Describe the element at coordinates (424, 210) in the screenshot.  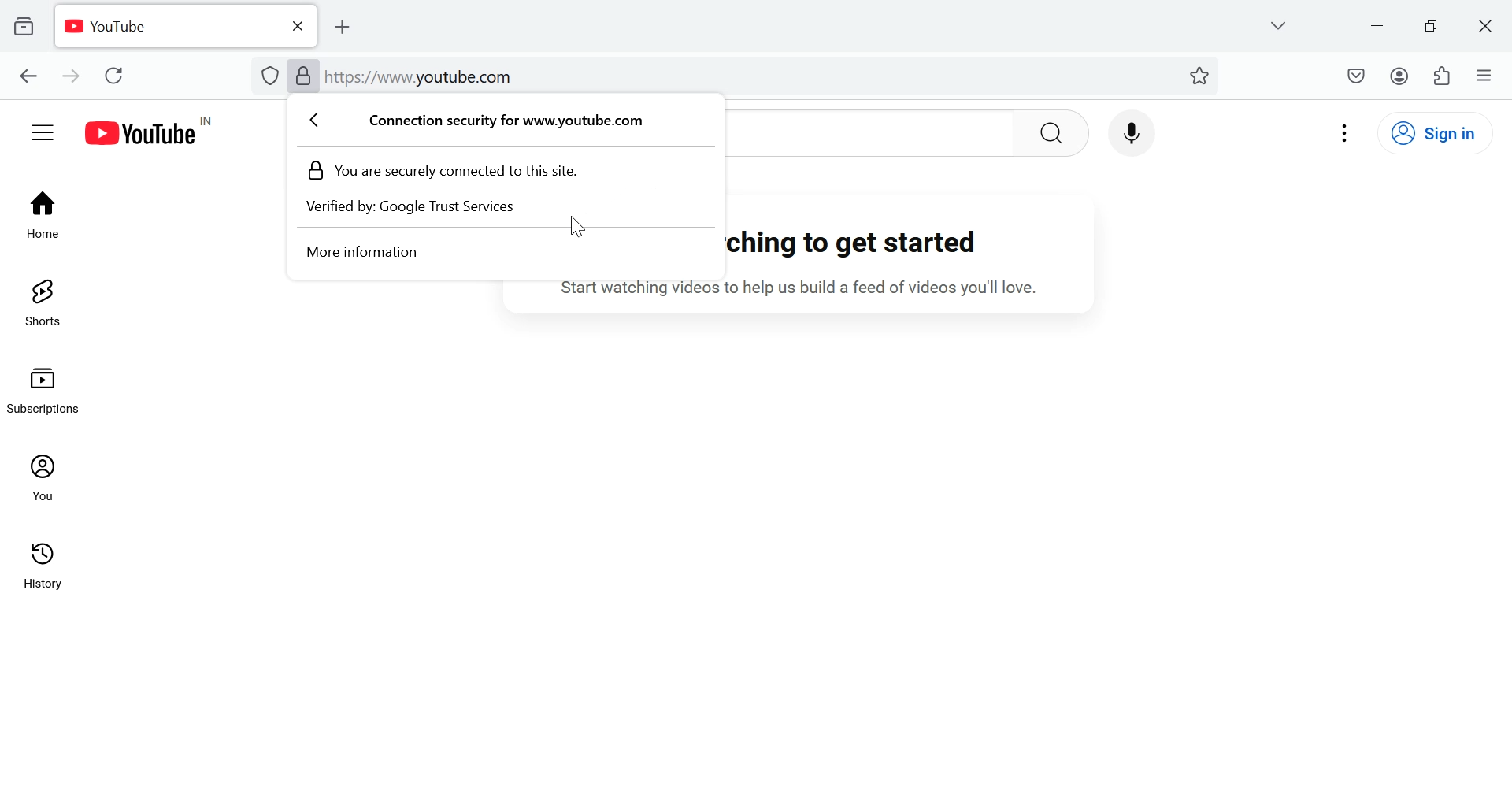
I see `Verified by: Google Trust Services` at that location.